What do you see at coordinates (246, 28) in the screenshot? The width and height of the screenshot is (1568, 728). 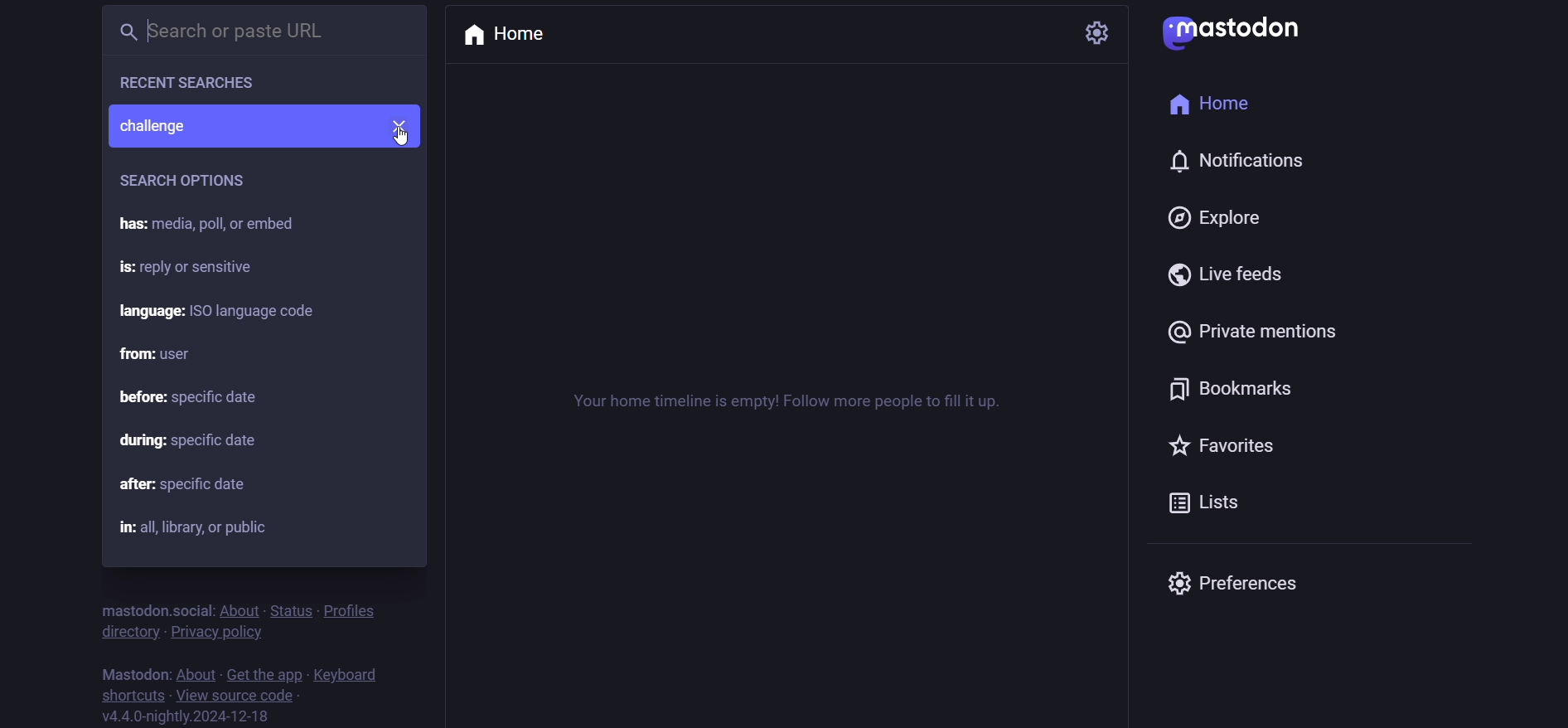 I see `SEARCH BAR` at bounding box center [246, 28].